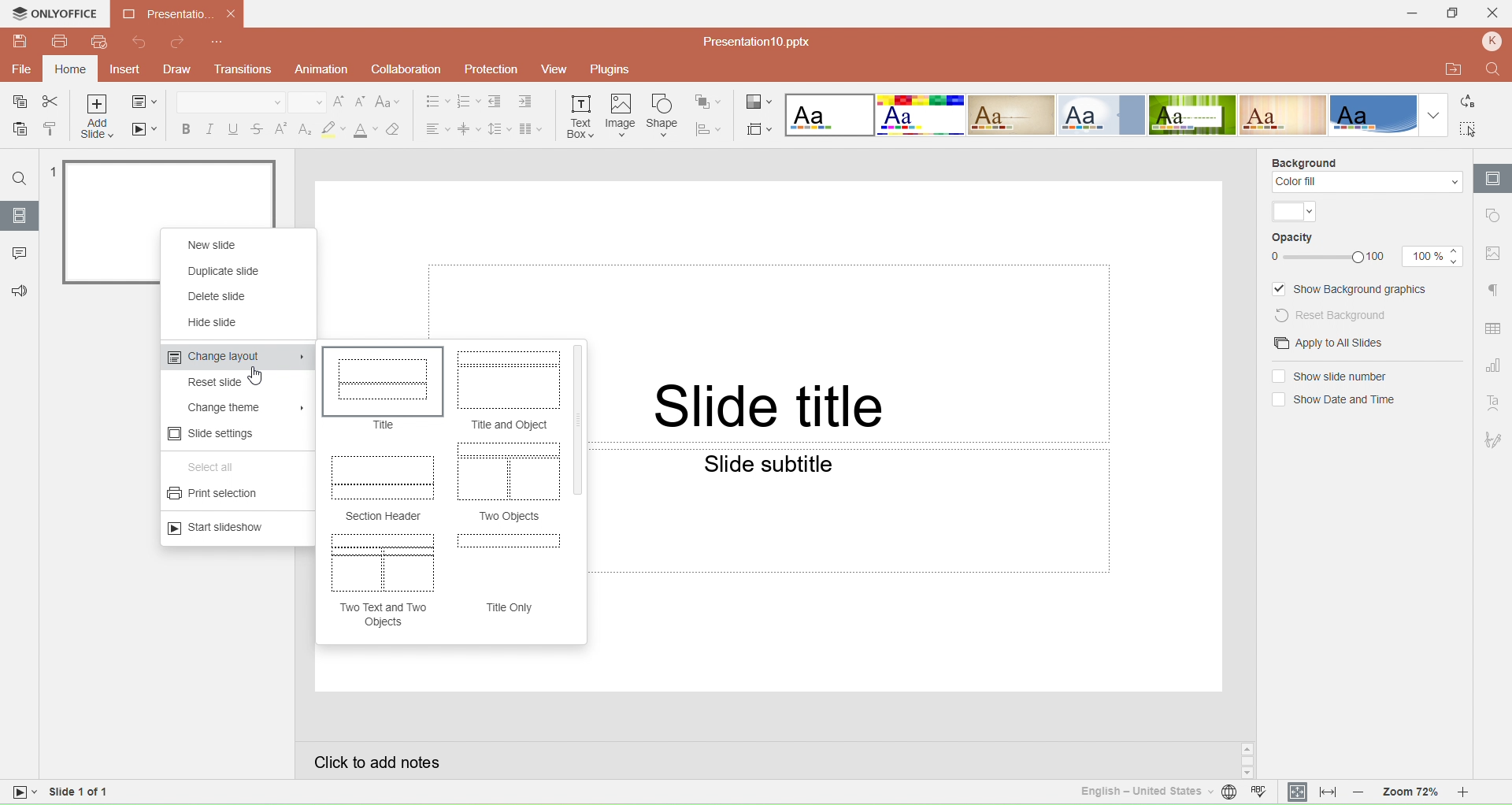  What do you see at coordinates (1195, 115) in the screenshot?
I see `Green leaf` at bounding box center [1195, 115].